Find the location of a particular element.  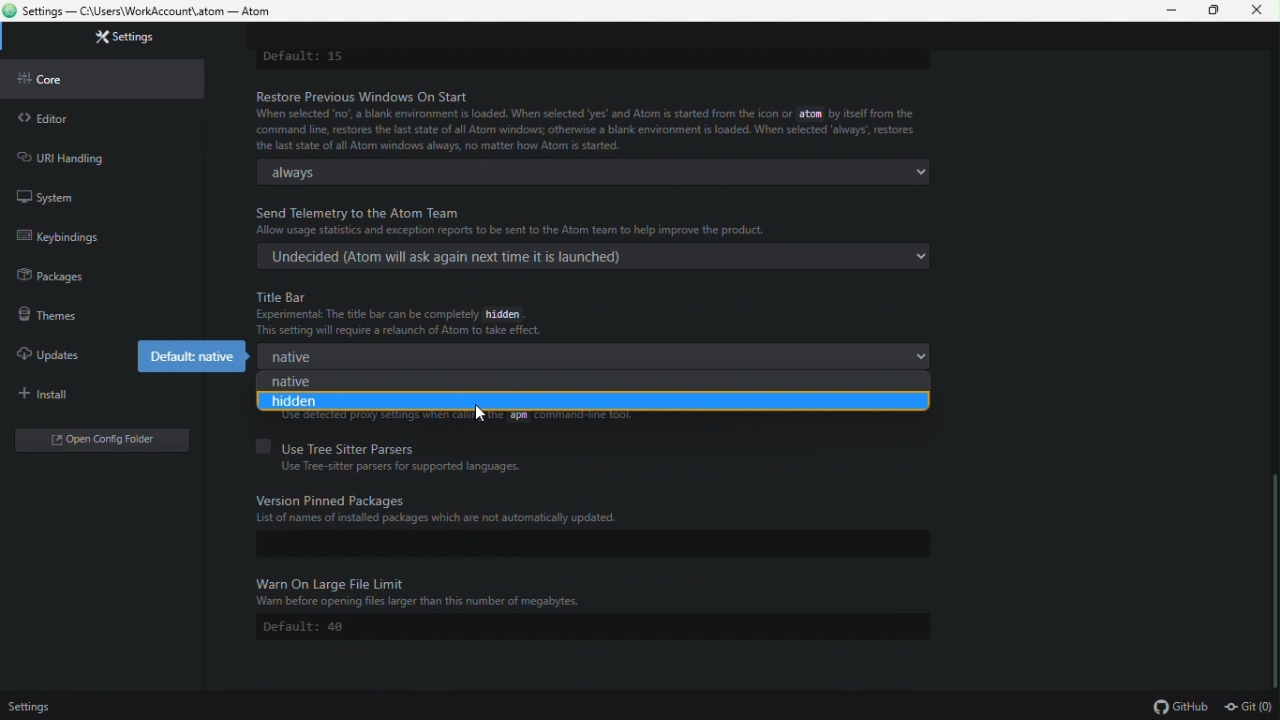

Use Tree-sitter parsers for supported languages. is located at coordinates (400, 466).